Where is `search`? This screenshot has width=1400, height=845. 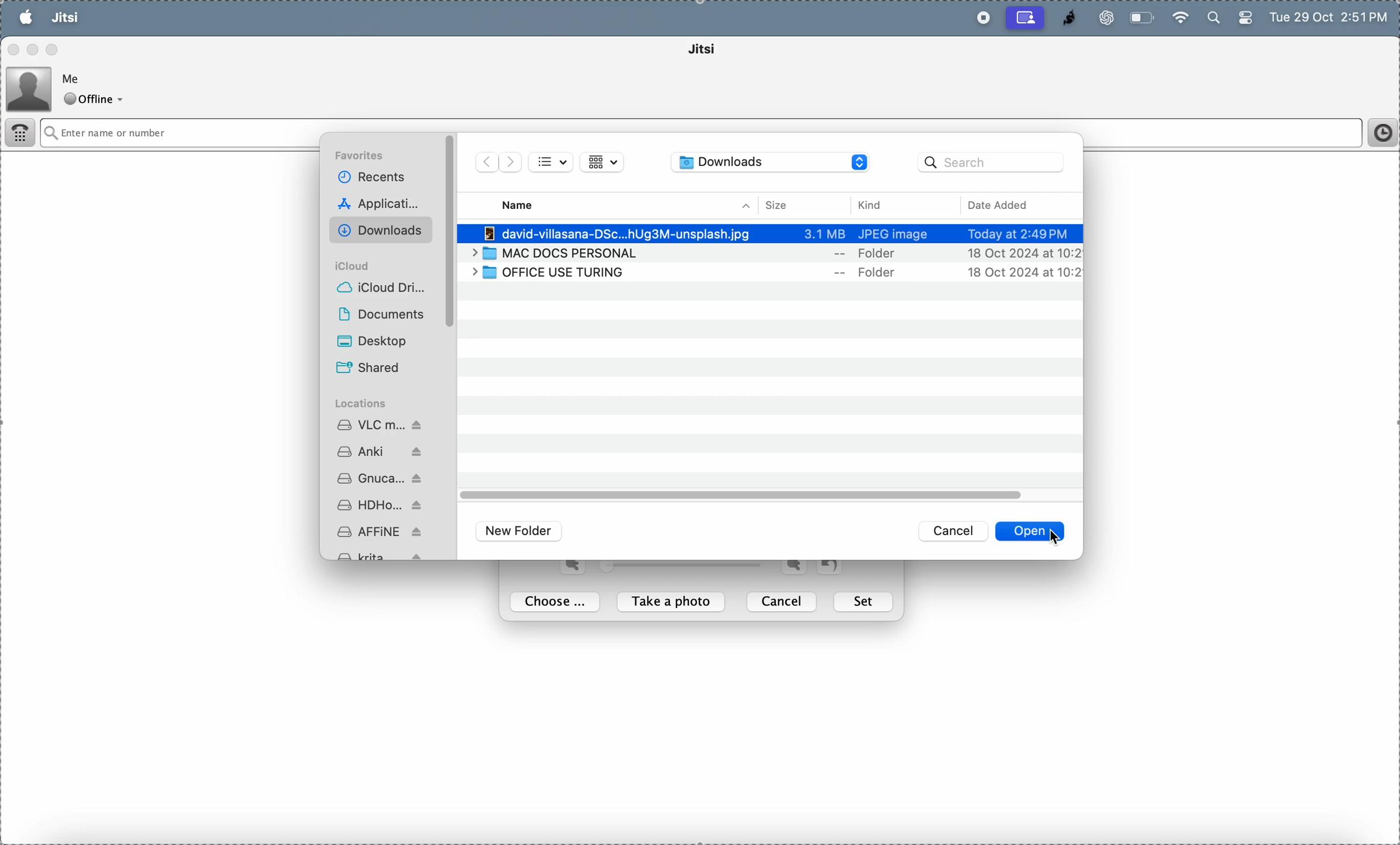
search is located at coordinates (993, 164).